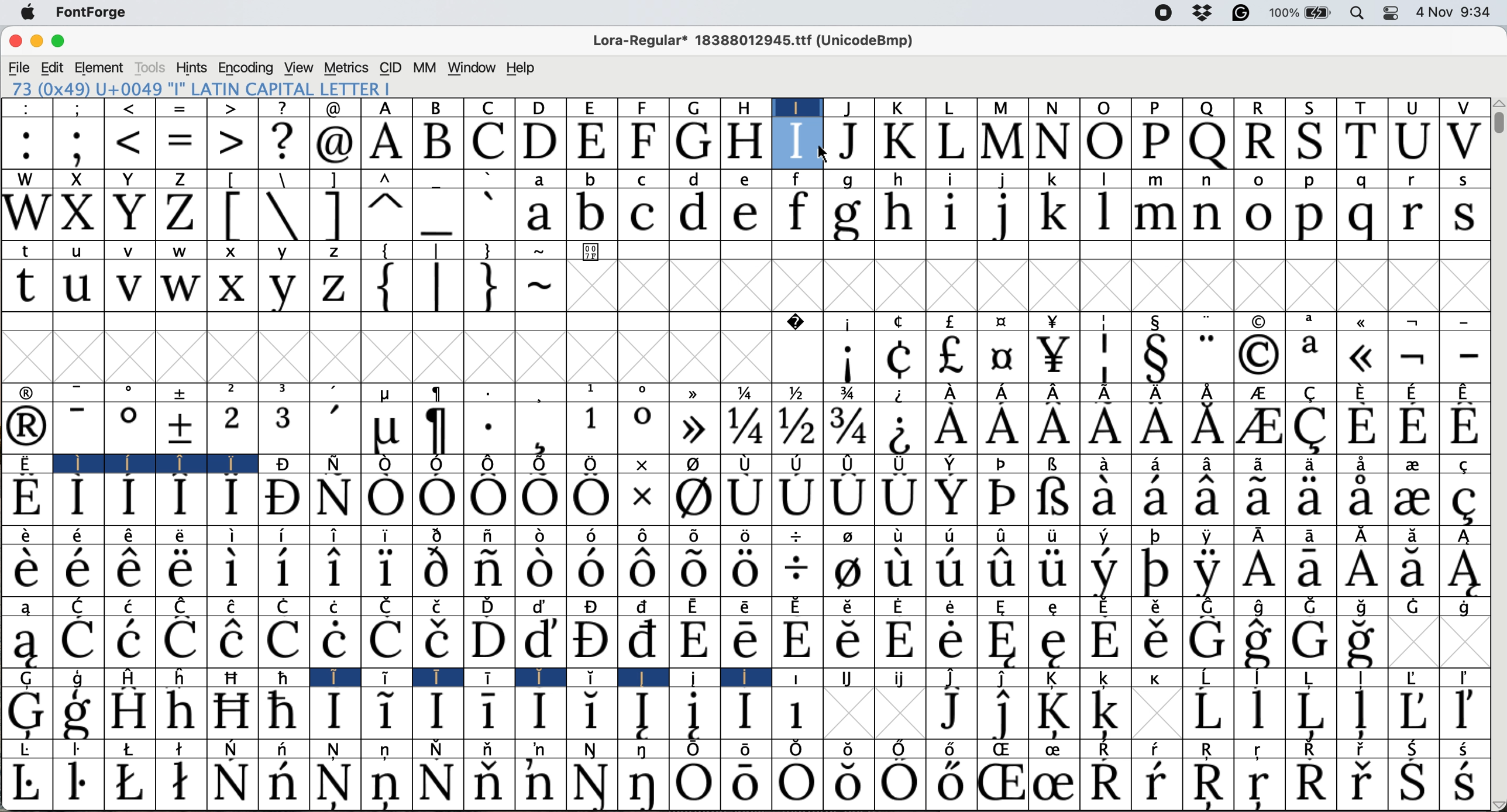  What do you see at coordinates (1357, 15) in the screenshot?
I see `spotlight search` at bounding box center [1357, 15].